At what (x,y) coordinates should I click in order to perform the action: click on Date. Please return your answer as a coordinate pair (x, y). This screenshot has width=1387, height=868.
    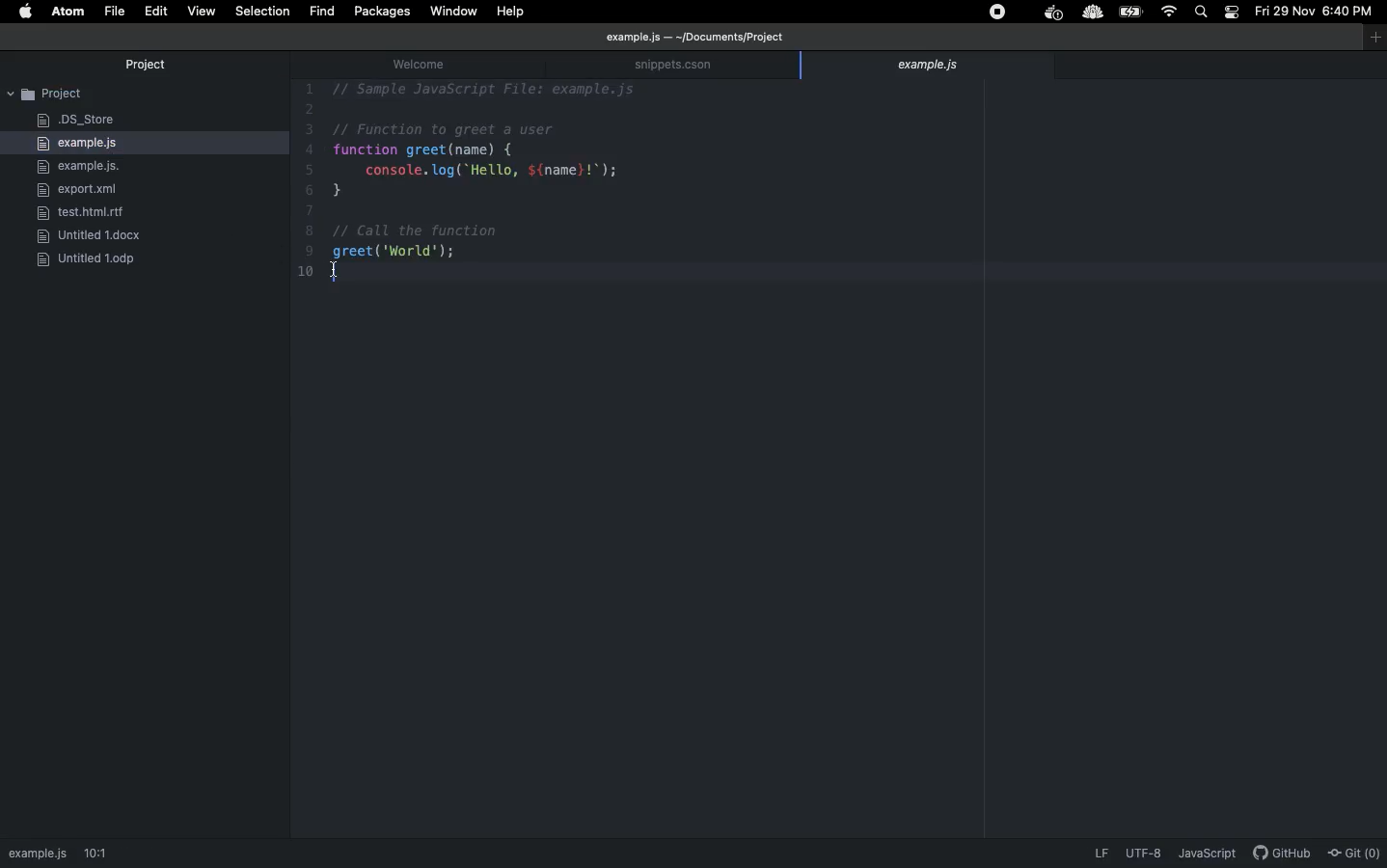
    Looking at the image, I should click on (1285, 12).